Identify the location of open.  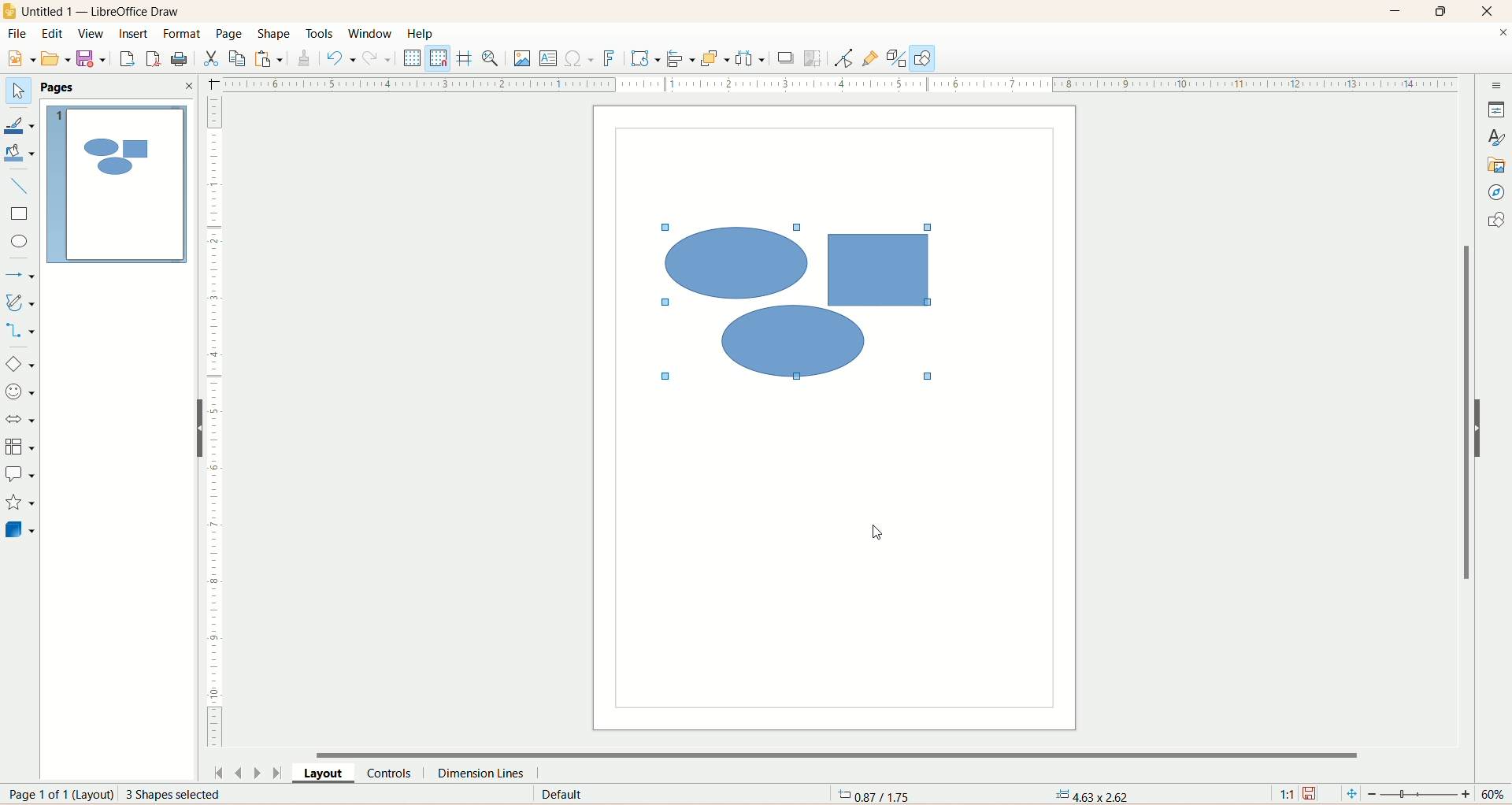
(57, 58).